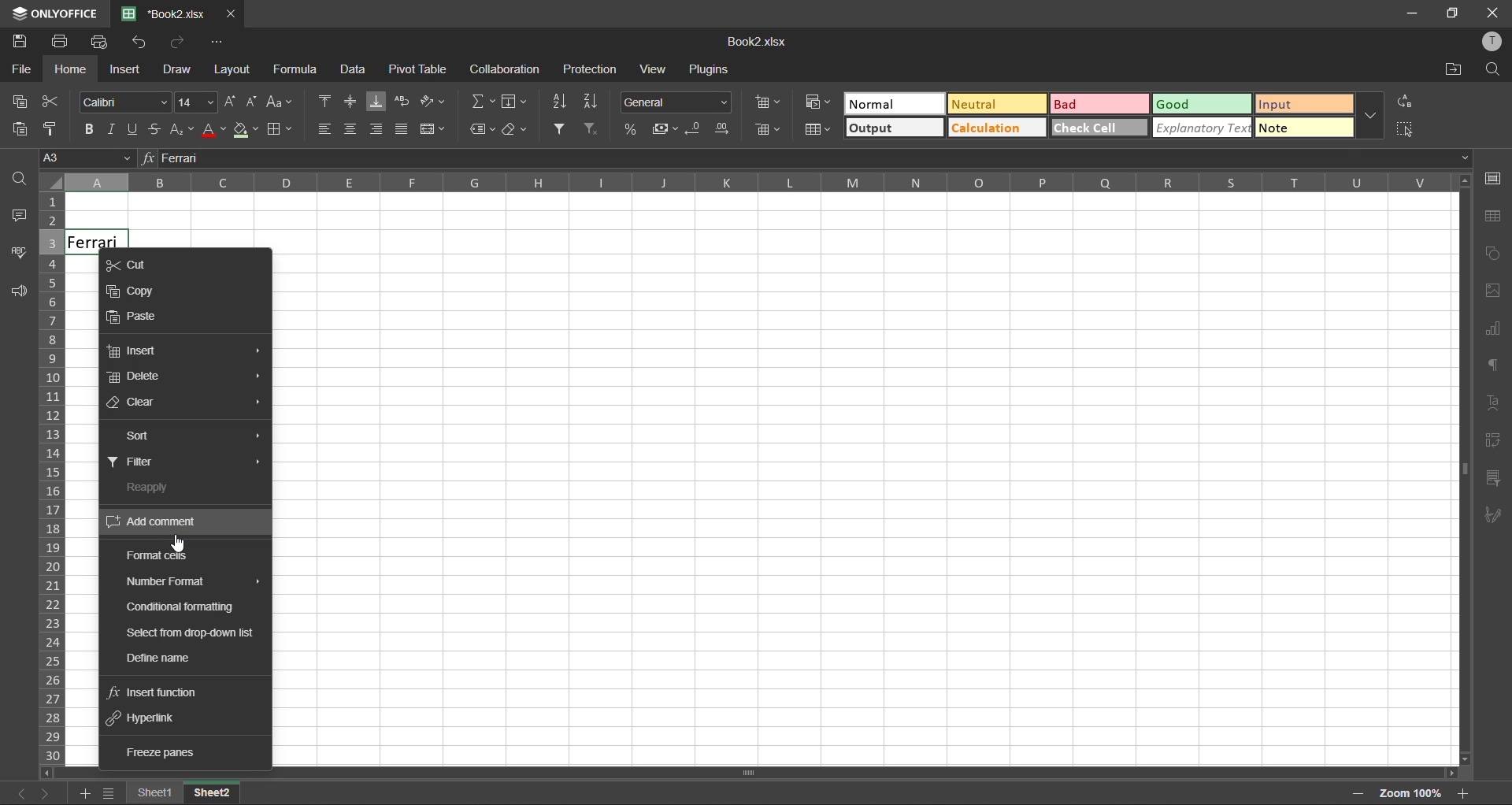  What do you see at coordinates (180, 71) in the screenshot?
I see `draw` at bounding box center [180, 71].